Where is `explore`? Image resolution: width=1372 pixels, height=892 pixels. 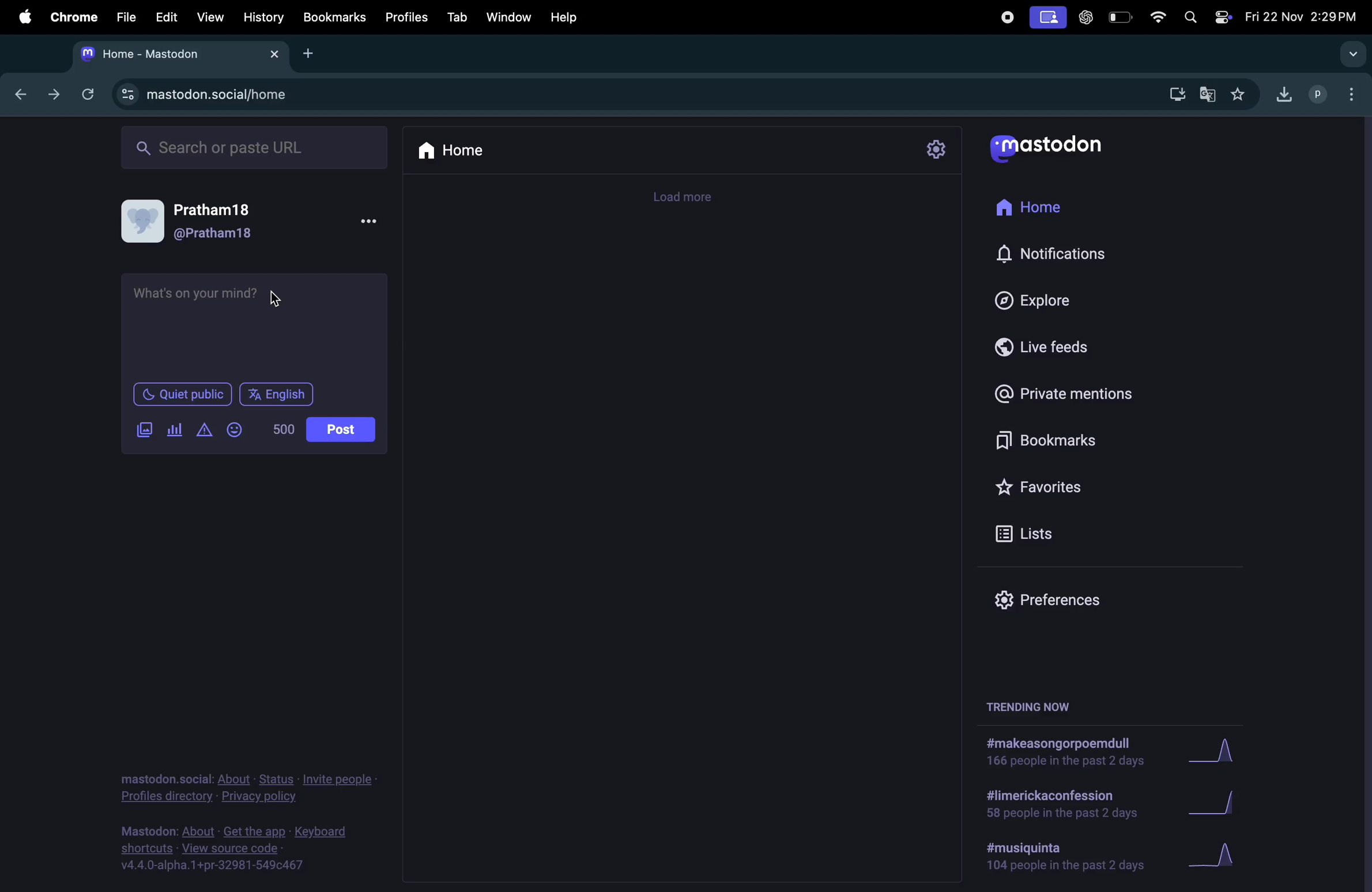
explore is located at coordinates (1080, 300).